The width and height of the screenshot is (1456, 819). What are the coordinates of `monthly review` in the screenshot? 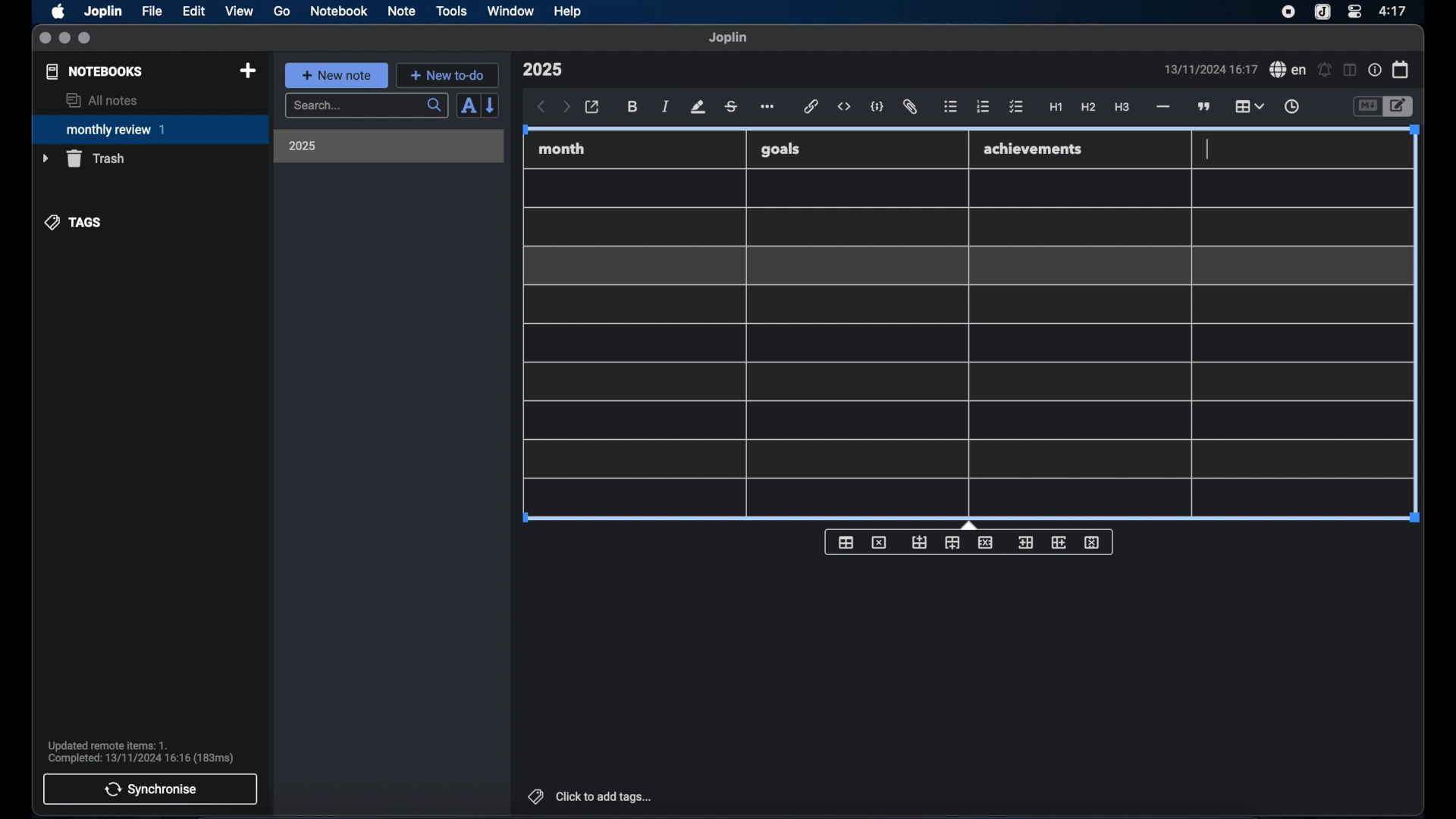 It's located at (150, 128).